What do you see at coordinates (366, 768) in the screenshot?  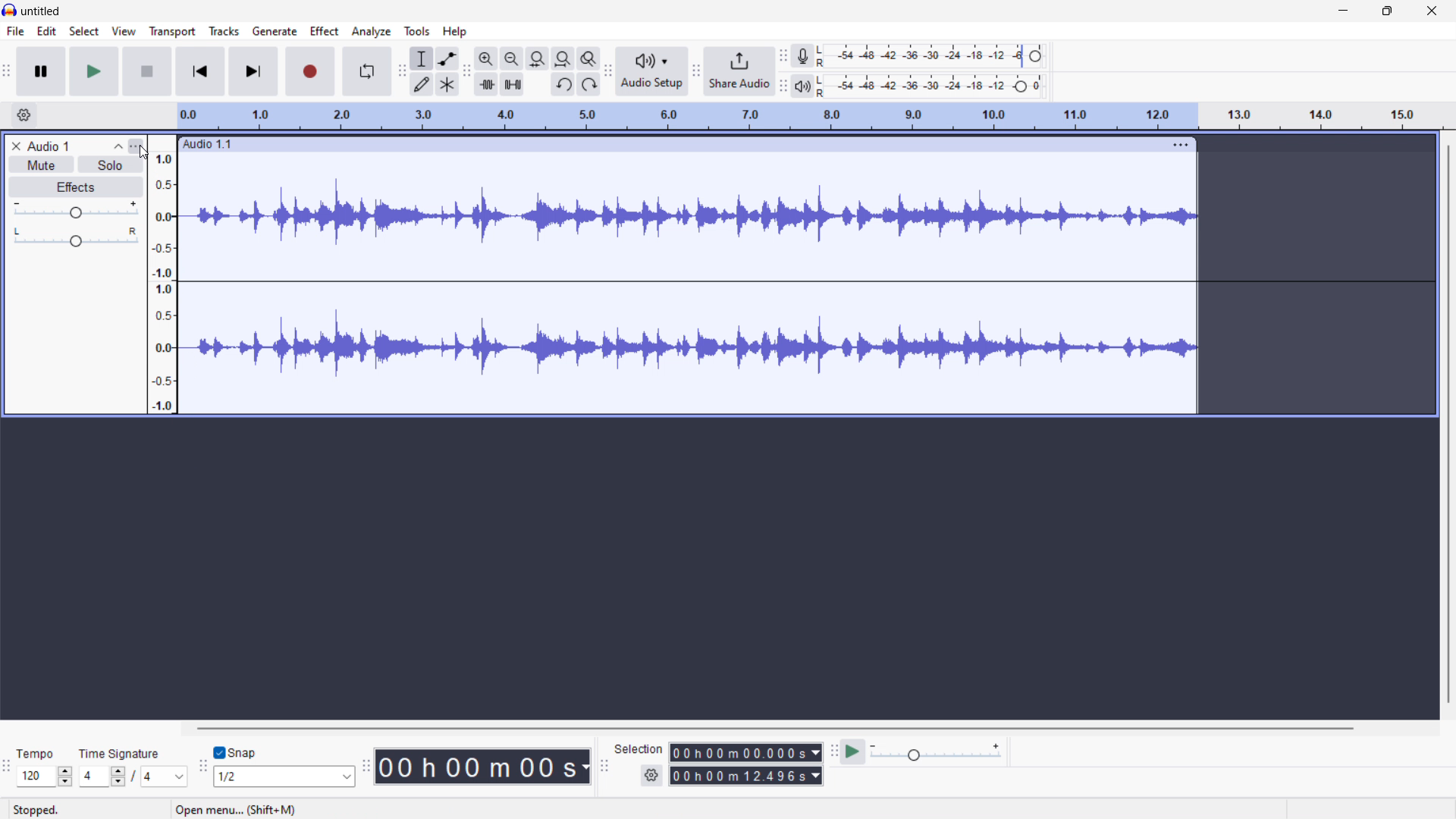 I see `time toolbar` at bounding box center [366, 768].